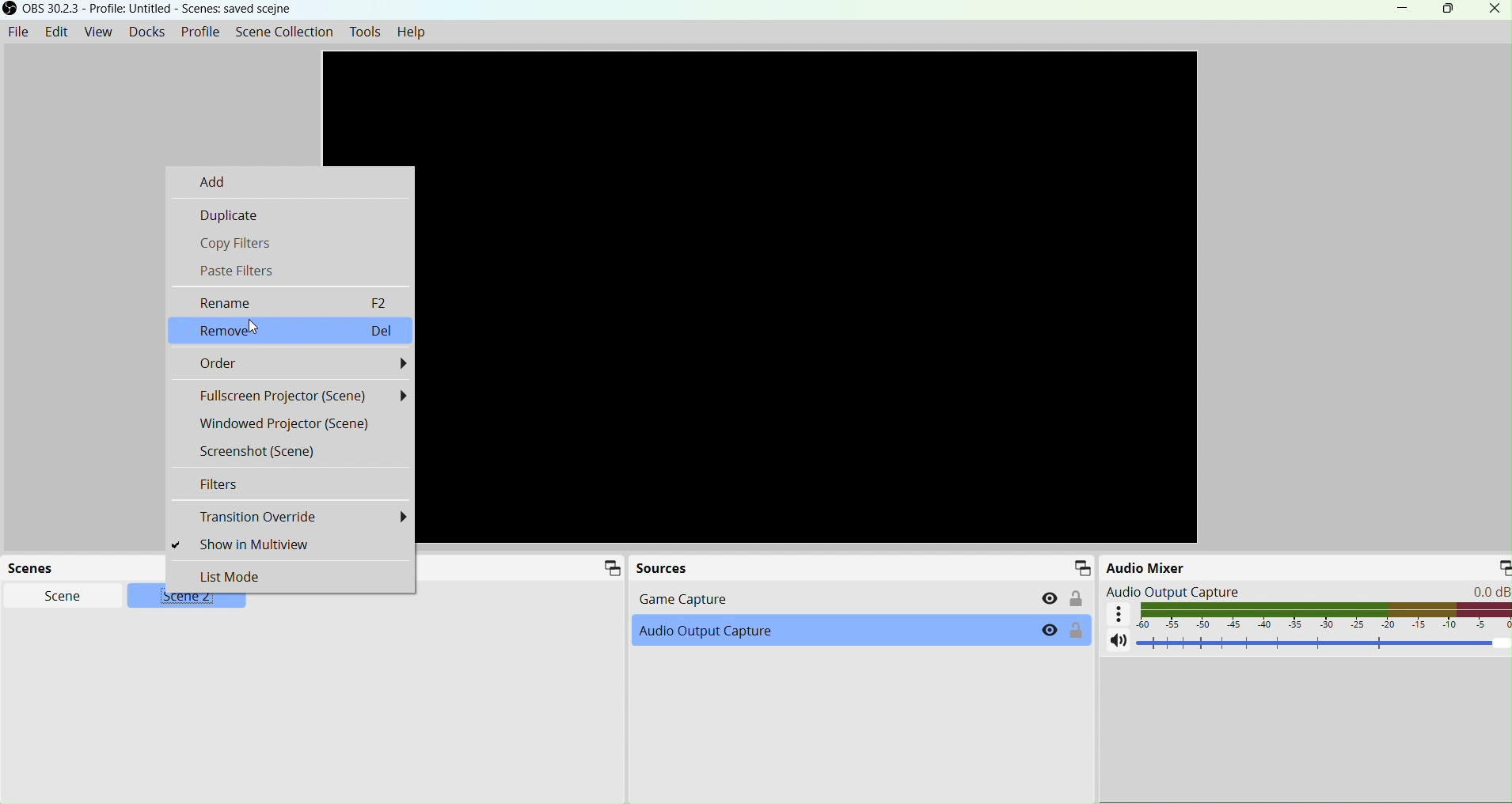  What do you see at coordinates (147, 31) in the screenshot?
I see `Docks` at bounding box center [147, 31].